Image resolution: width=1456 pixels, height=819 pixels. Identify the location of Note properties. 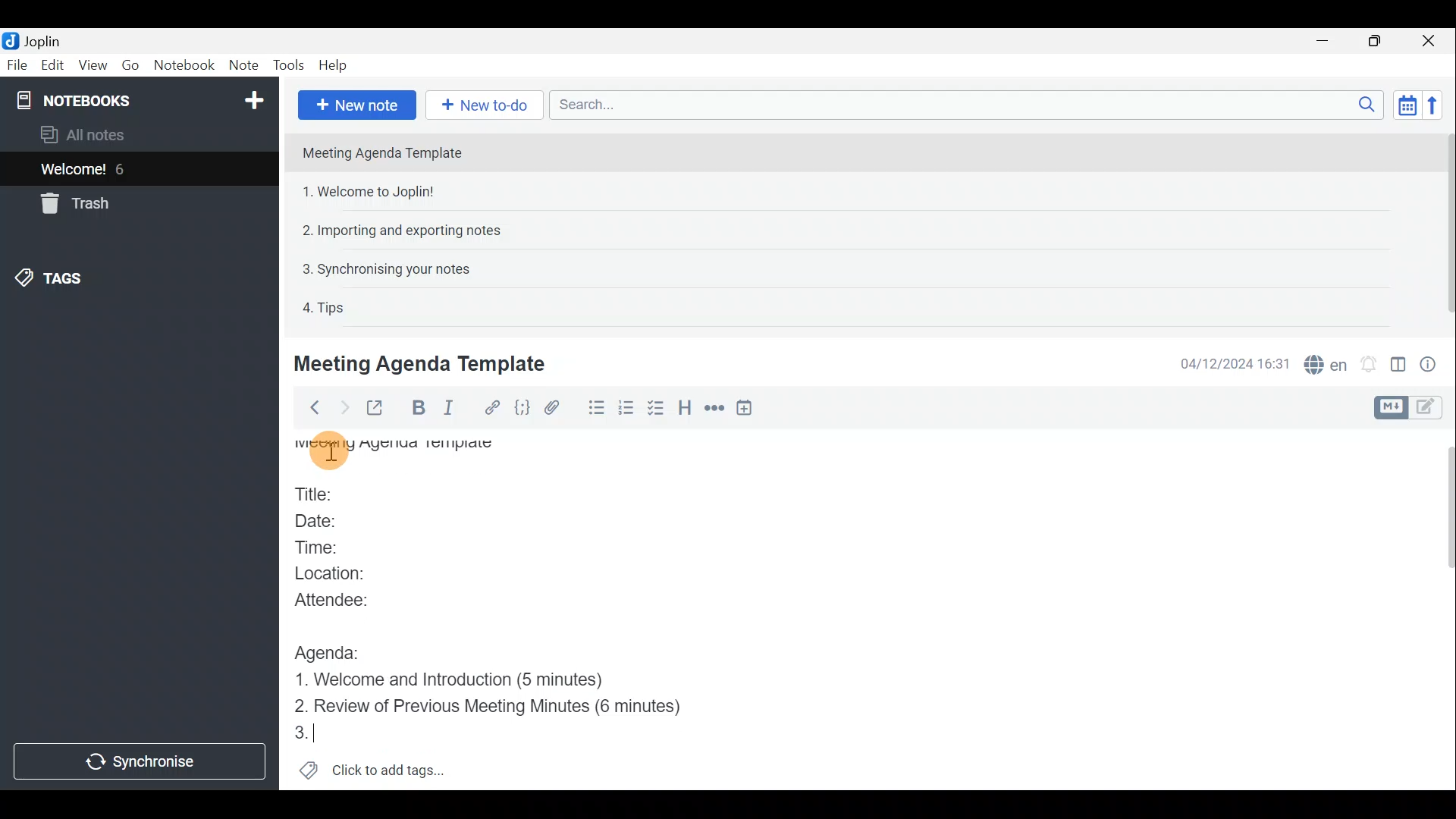
(1433, 363).